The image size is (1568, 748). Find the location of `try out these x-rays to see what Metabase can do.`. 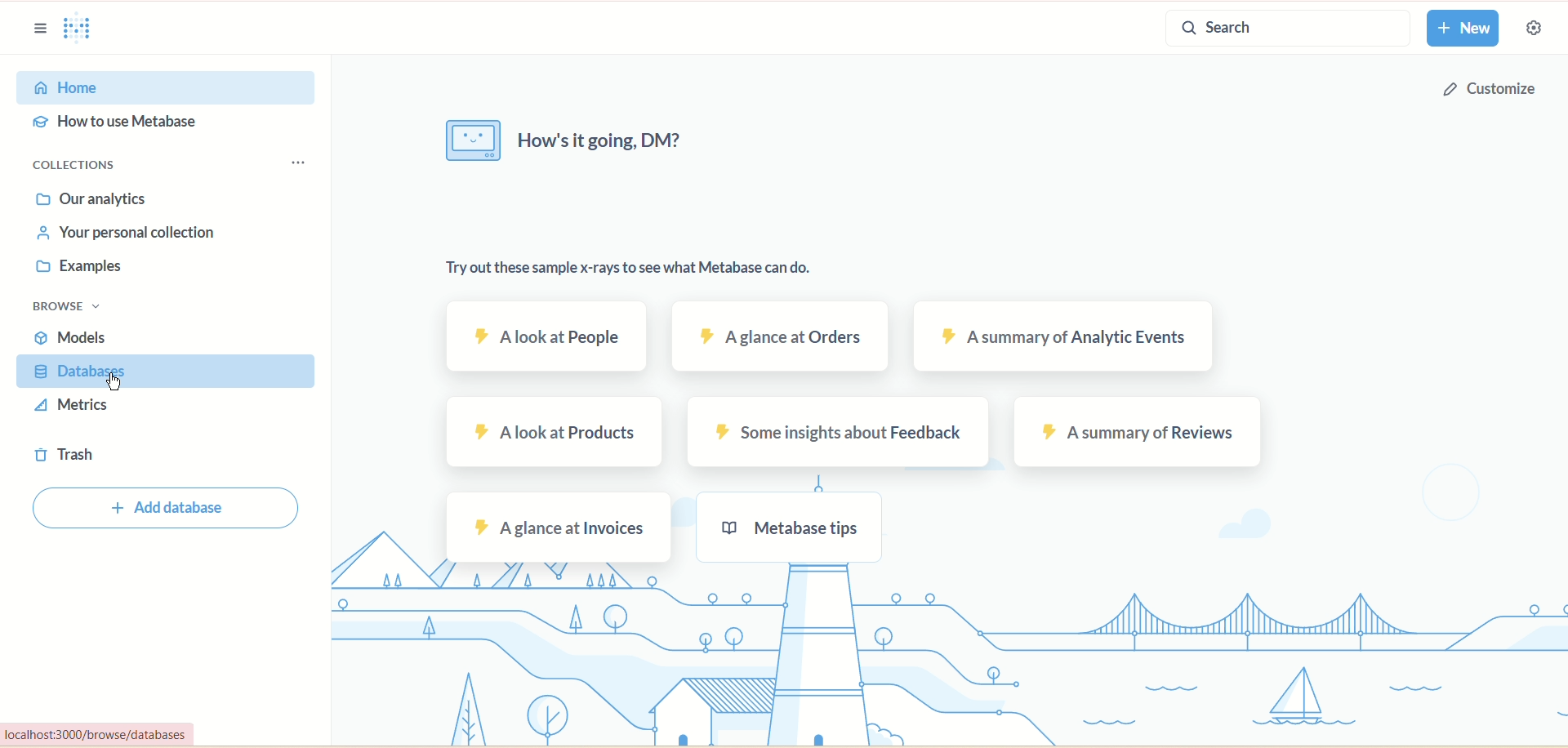

try out these x-rays to see what Metabase can do. is located at coordinates (628, 268).